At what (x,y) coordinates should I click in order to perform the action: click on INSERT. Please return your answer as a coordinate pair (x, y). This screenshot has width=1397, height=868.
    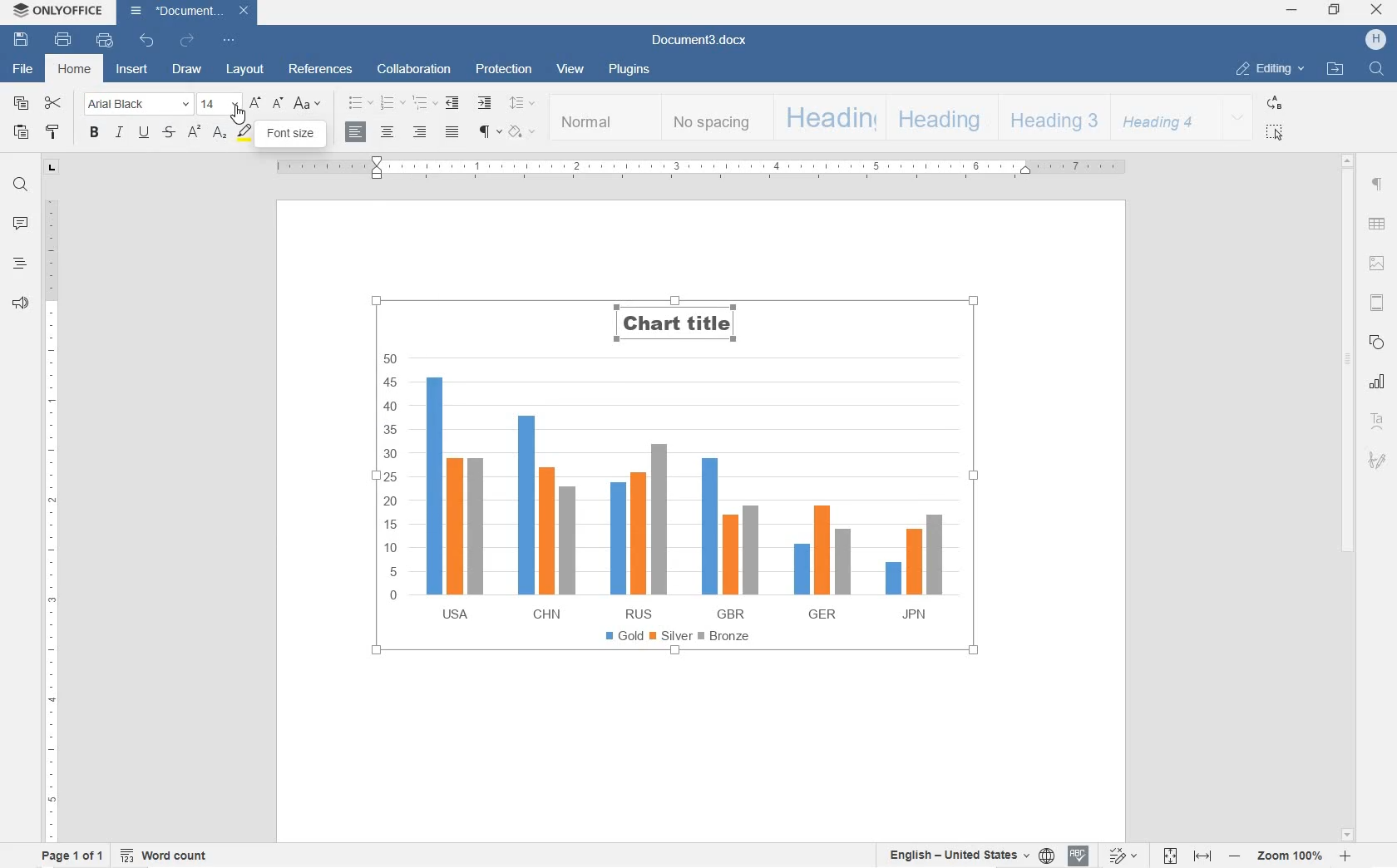
    Looking at the image, I should click on (134, 70).